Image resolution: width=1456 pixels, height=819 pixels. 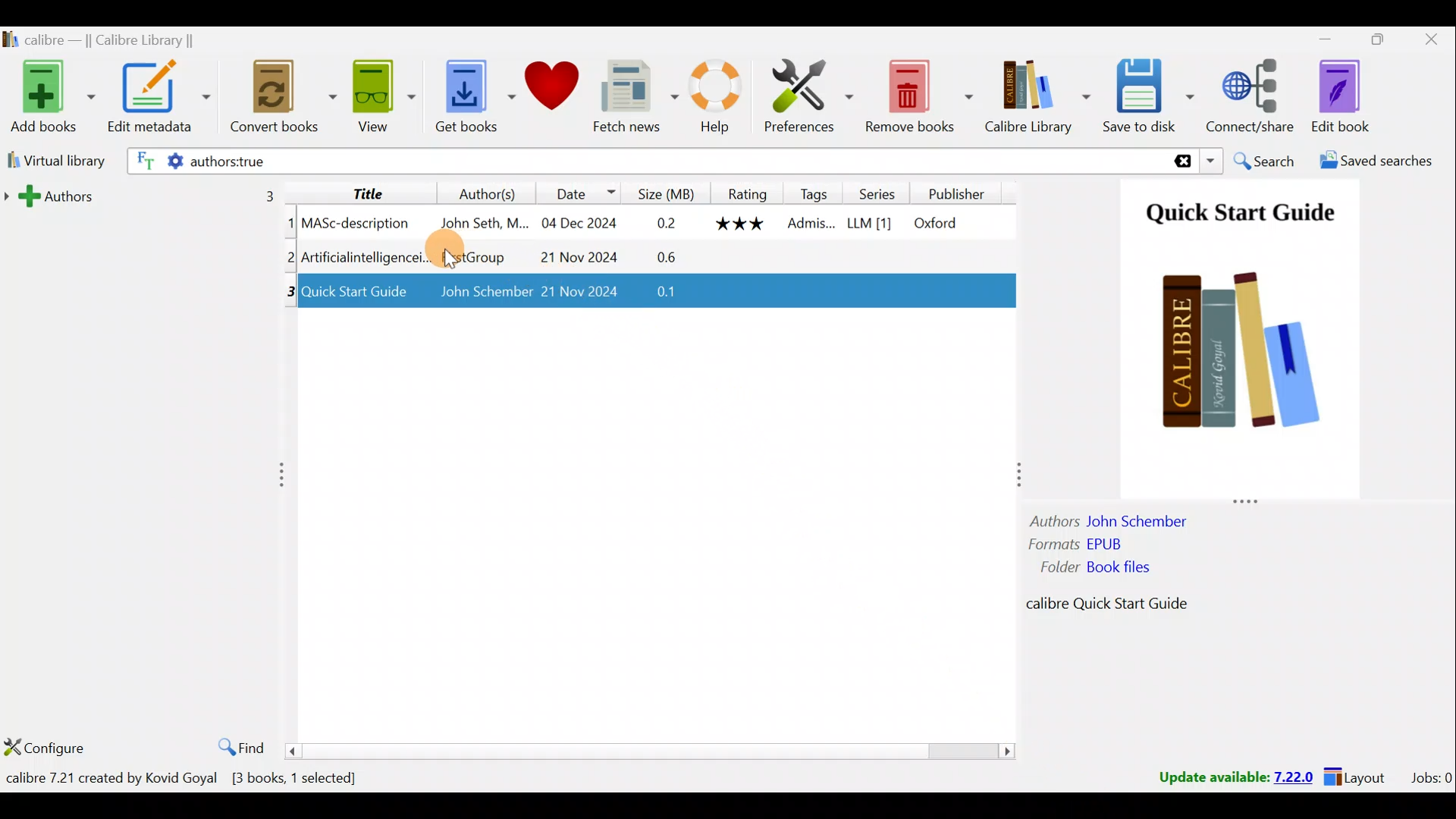 What do you see at coordinates (459, 99) in the screenshot?
I see `Get books` at bounding box center [459, 99].